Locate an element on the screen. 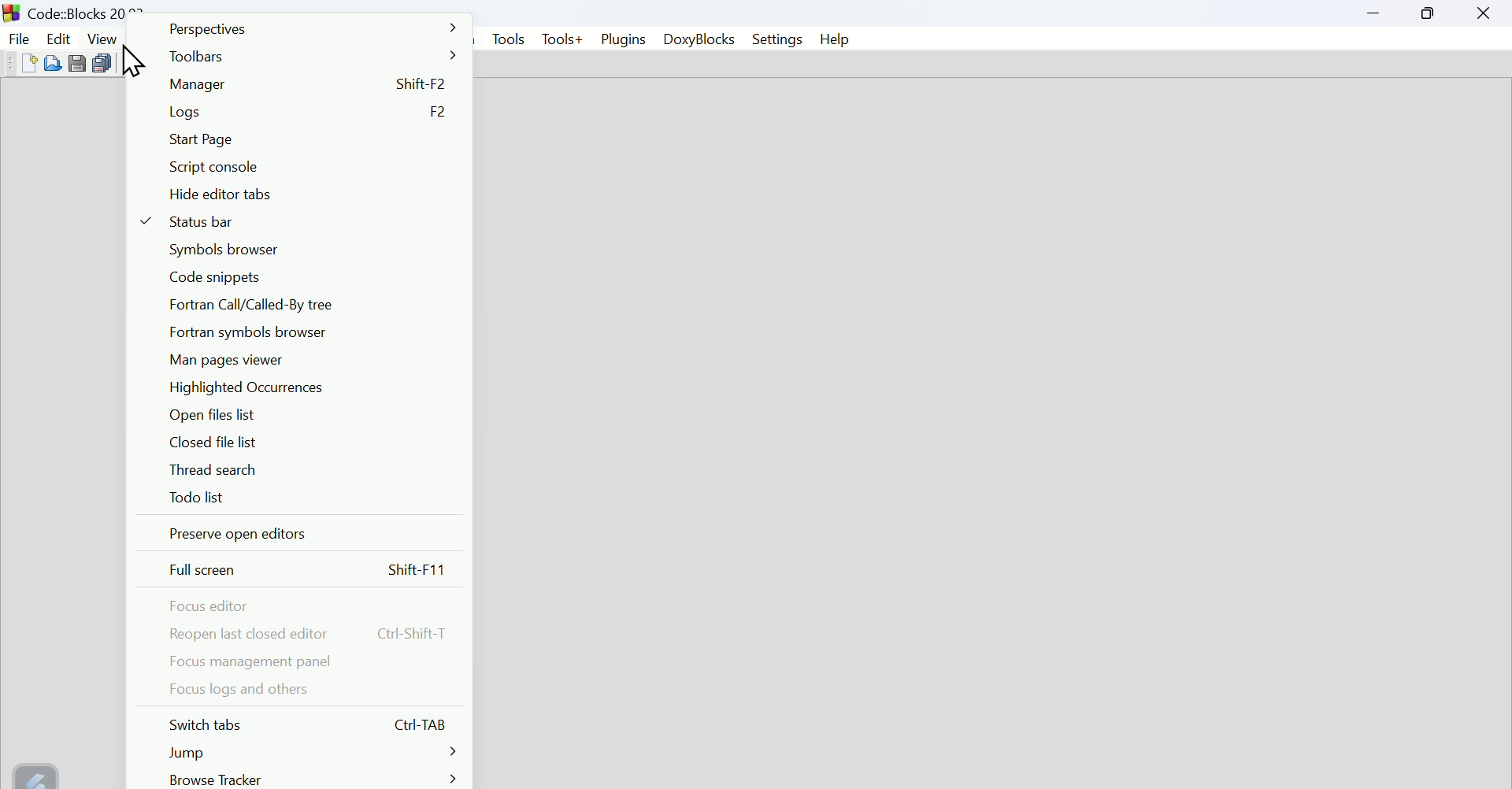 This screenshot has height=789, width=1512. Switch tab is located at coordinates (316, 724).